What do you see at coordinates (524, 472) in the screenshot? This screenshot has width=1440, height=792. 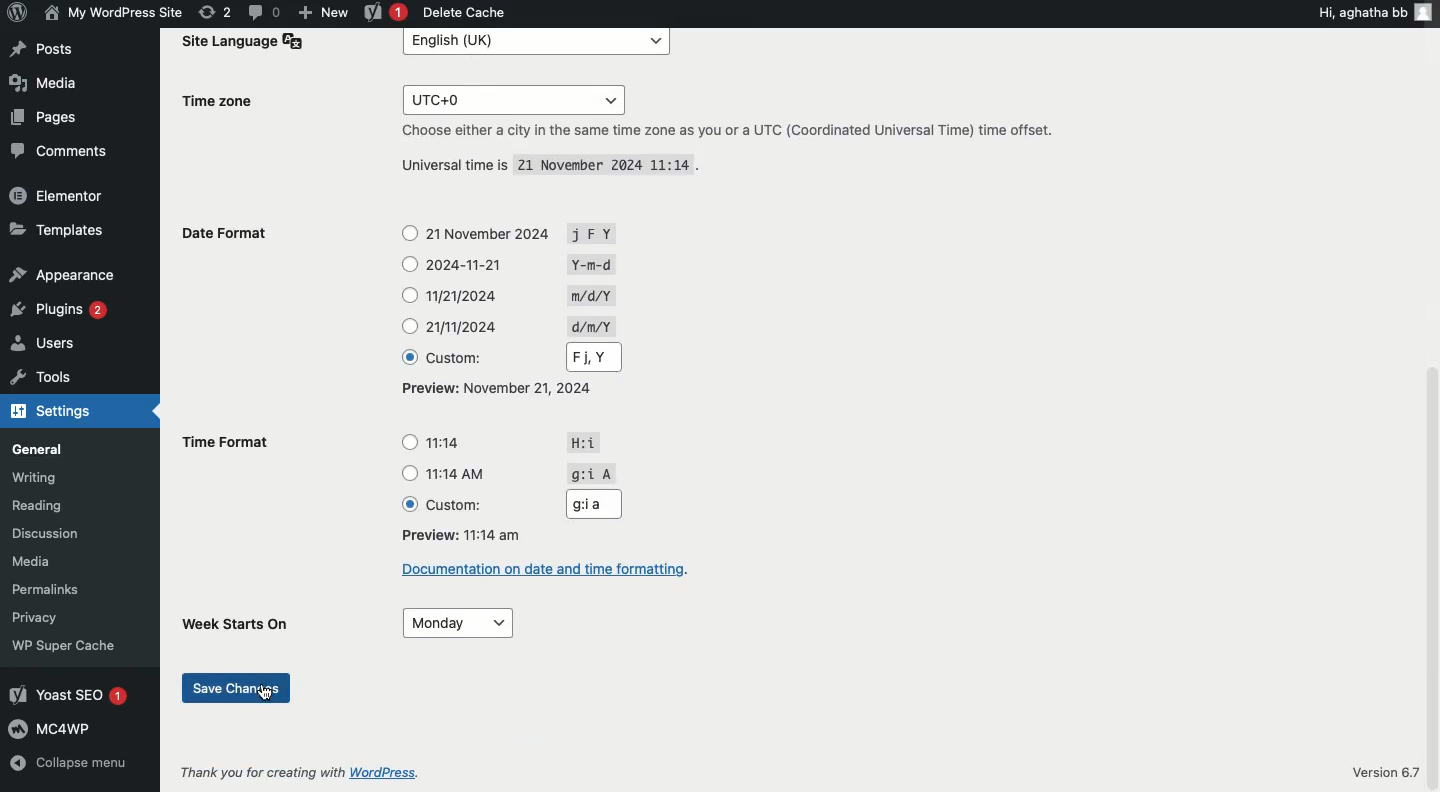 I see `11:14 AM g:i A` at bounding box center [524, 472].